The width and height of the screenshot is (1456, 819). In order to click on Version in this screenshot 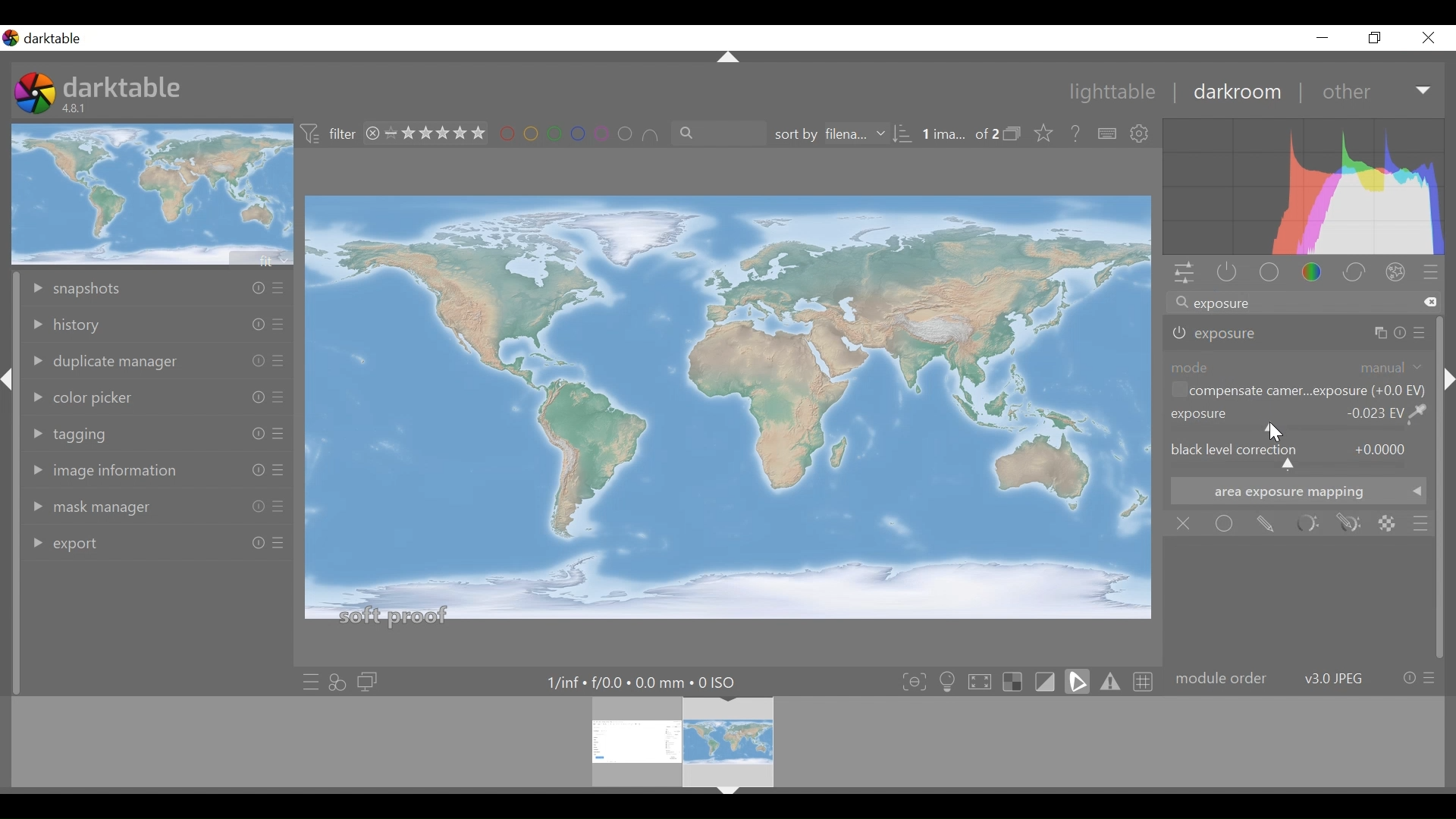, I will do `click(77, 108)`.